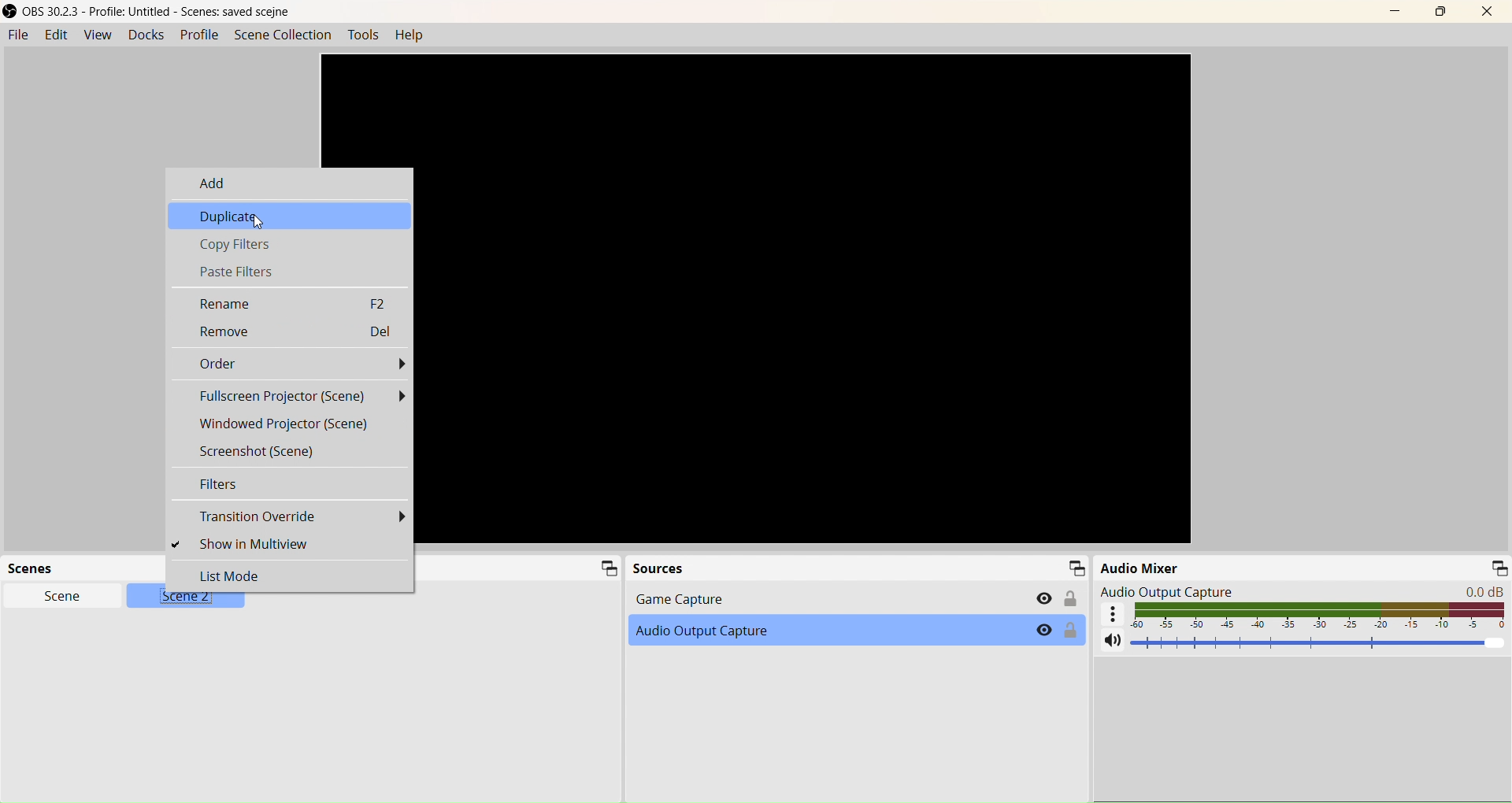 This screenshot has height=803, width=1512. I want to click on Close, so click(1488, 12).